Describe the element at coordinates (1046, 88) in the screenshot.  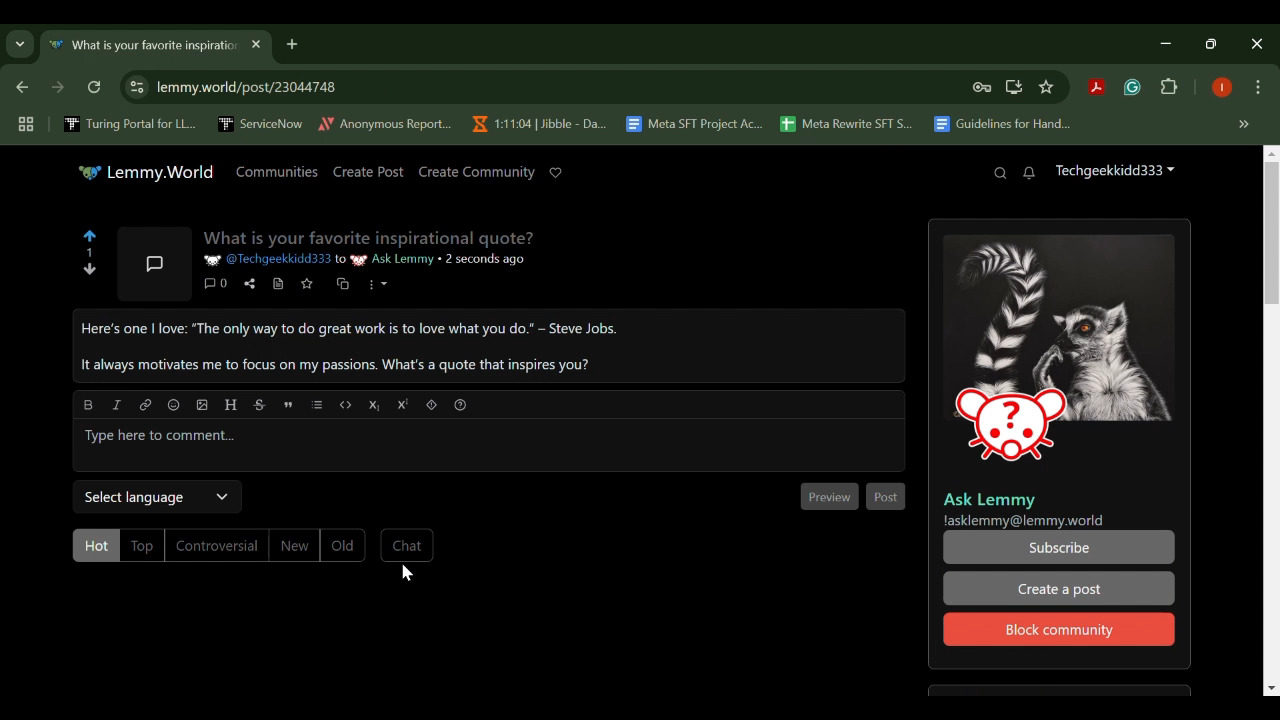
I see `Bookmark Site Button` at that location.